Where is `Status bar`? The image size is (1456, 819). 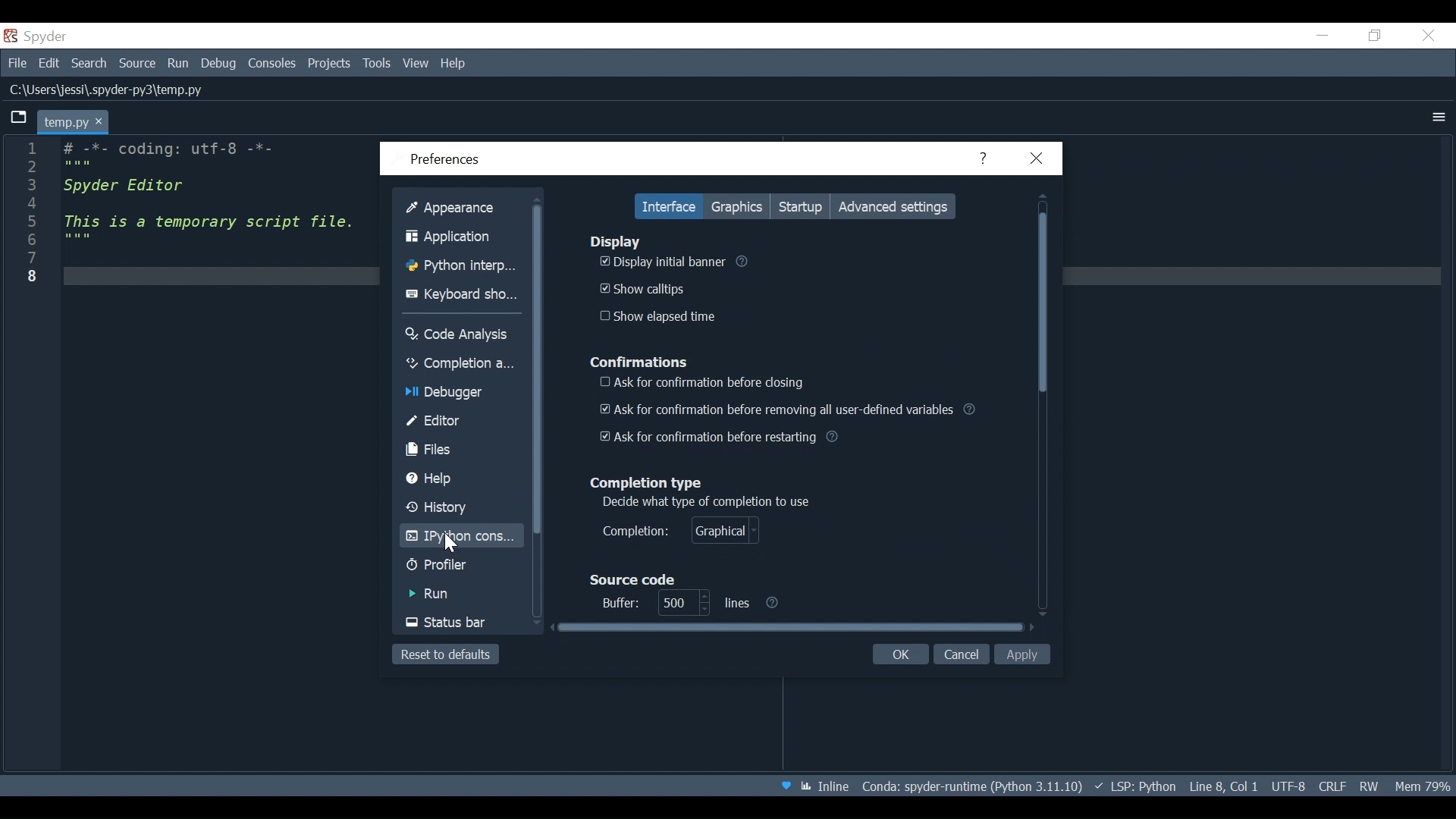 Status bar is located at coordinates (458, 623).